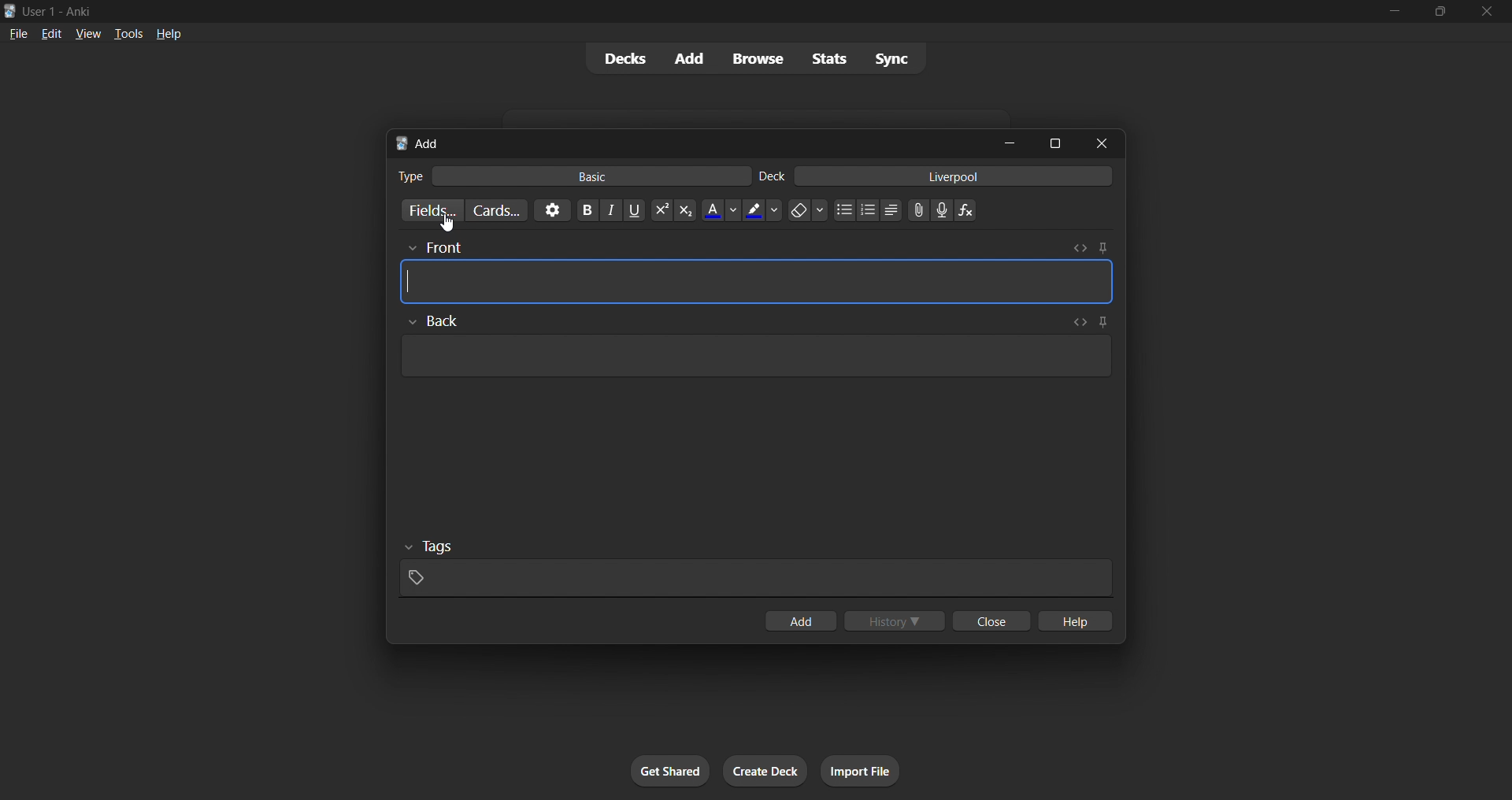  What do you see at coordinates (127, 33) in the screenshot?
I see `tools` at bounding box center [127, 33].